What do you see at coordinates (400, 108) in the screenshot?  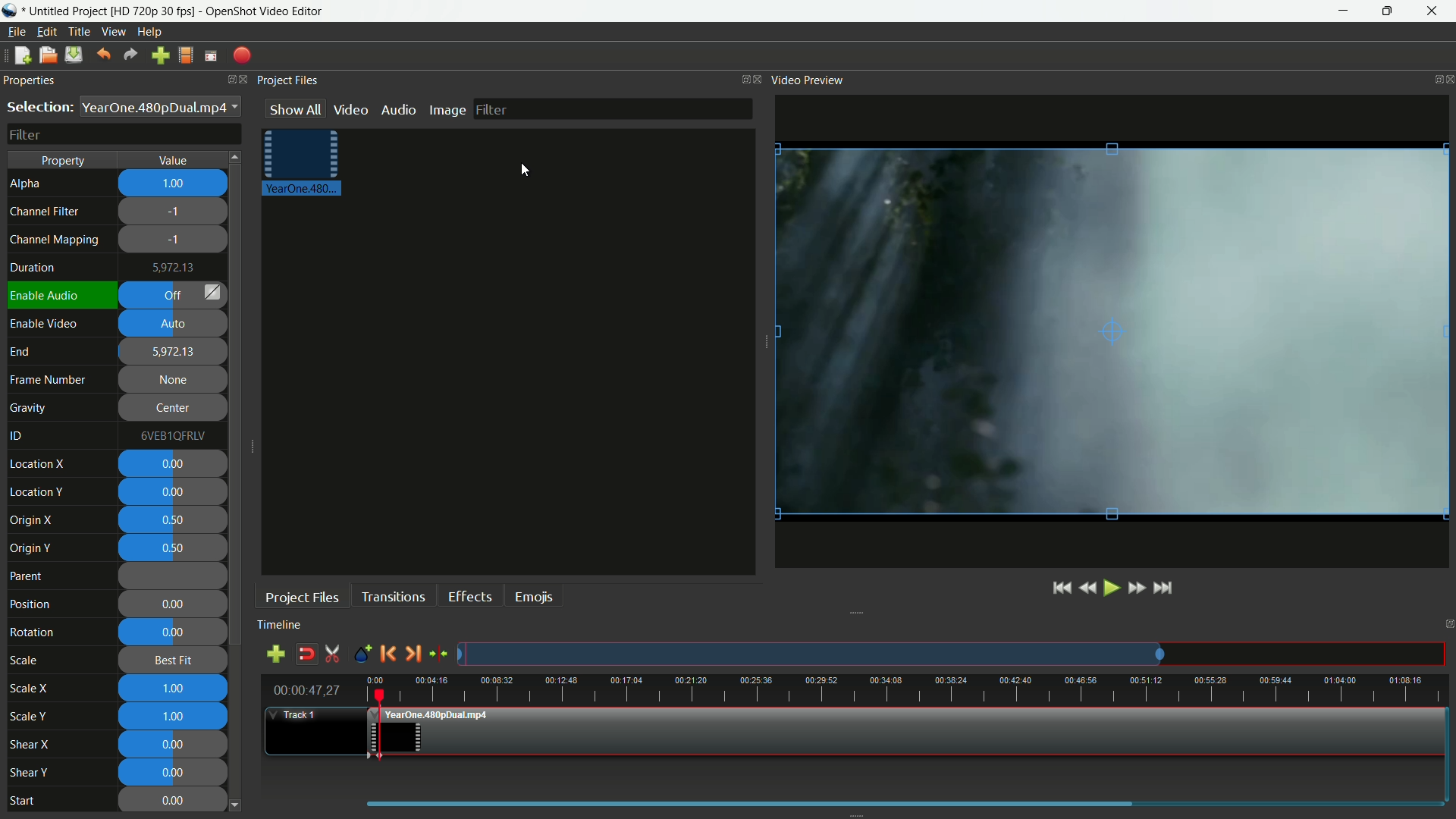 I see `audio` at bounding box center [400, 108].